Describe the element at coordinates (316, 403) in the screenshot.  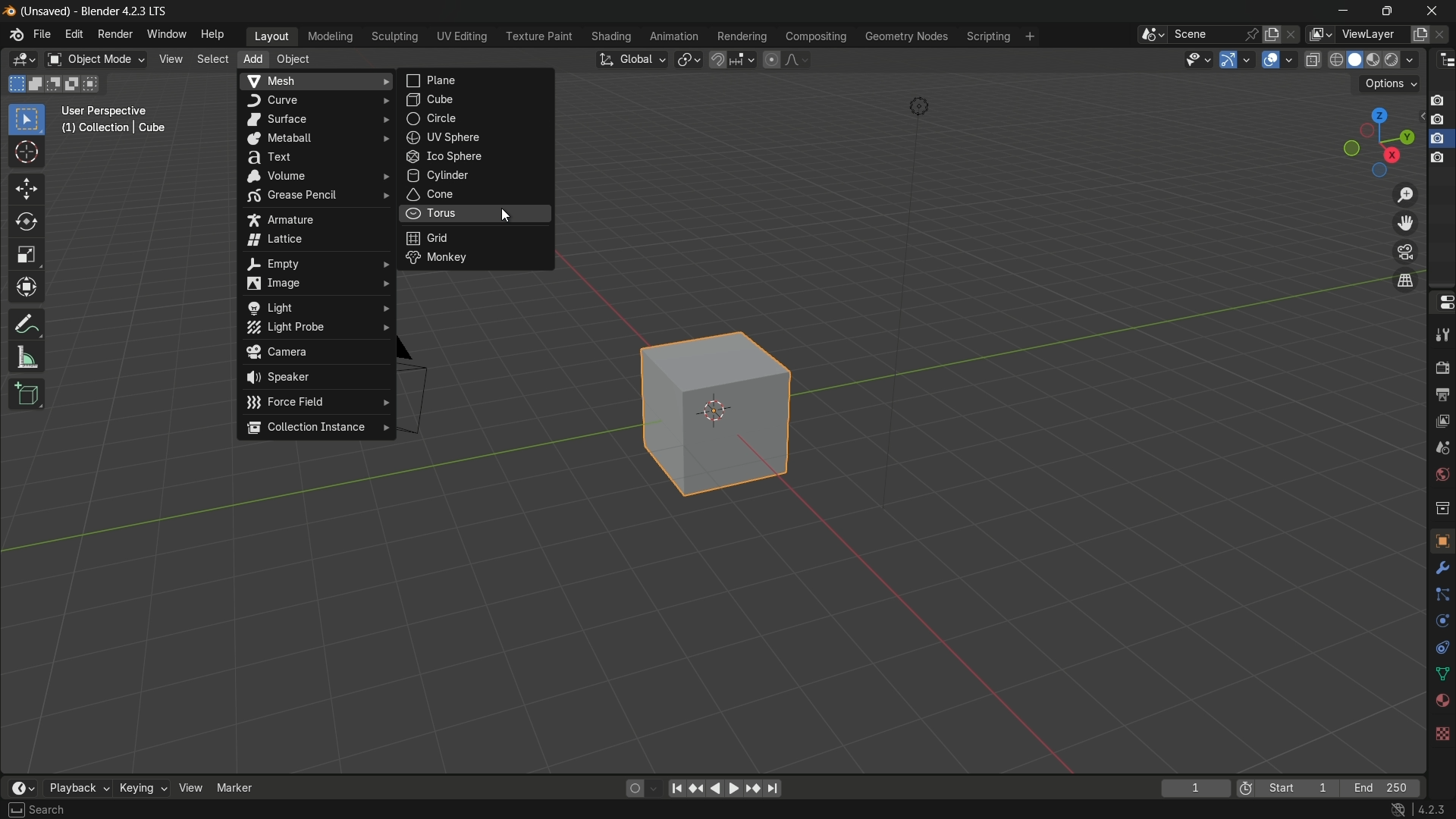
I see `force field` at that location.